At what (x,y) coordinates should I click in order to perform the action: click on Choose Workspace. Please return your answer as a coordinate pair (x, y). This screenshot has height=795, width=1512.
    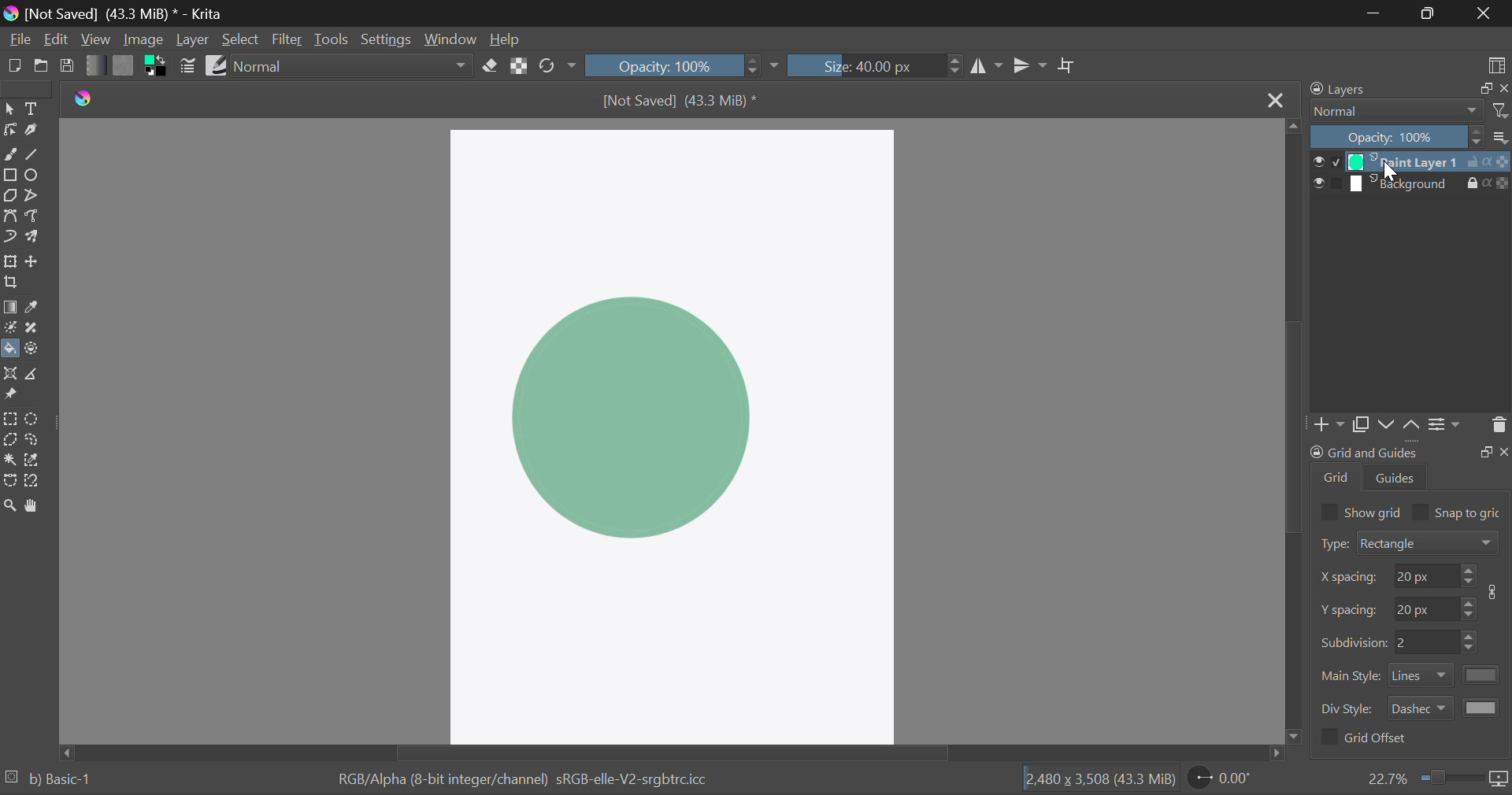
    Looking at the image, I should click on (1495, 65).